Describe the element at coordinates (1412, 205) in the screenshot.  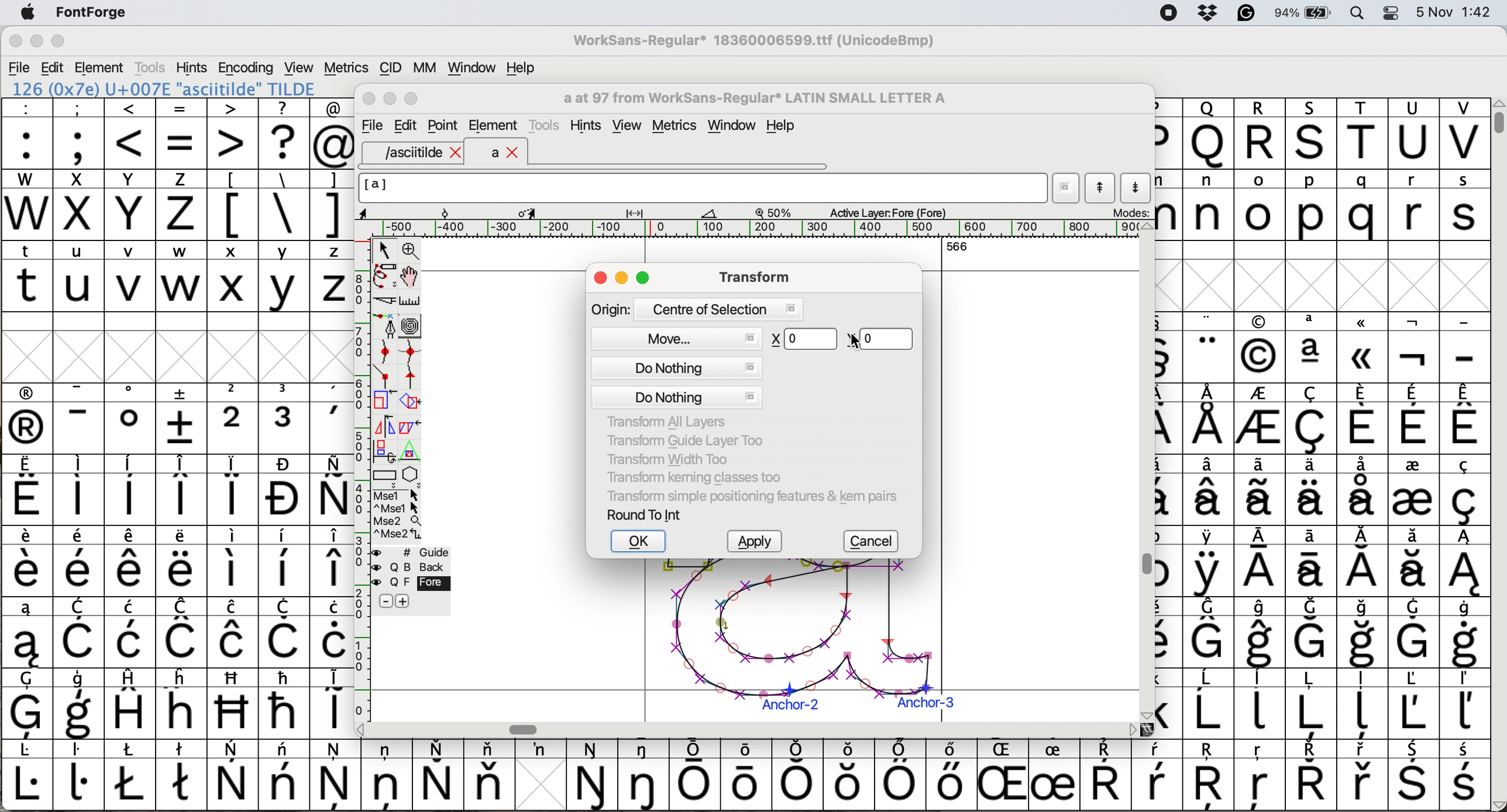
I see `r` at that location.